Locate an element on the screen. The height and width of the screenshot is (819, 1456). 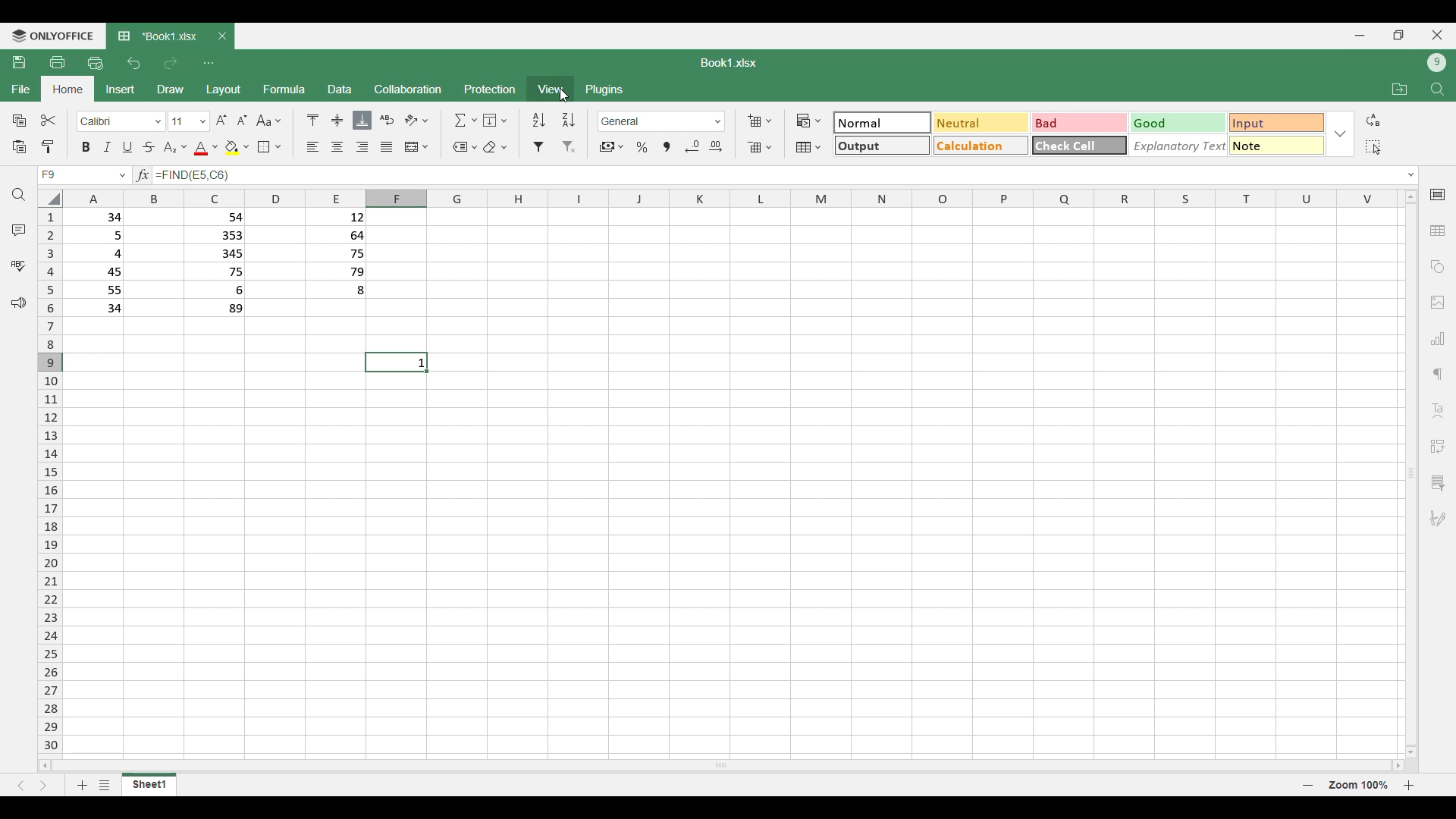
Plugins menu  is located at coordinates (604, 89).